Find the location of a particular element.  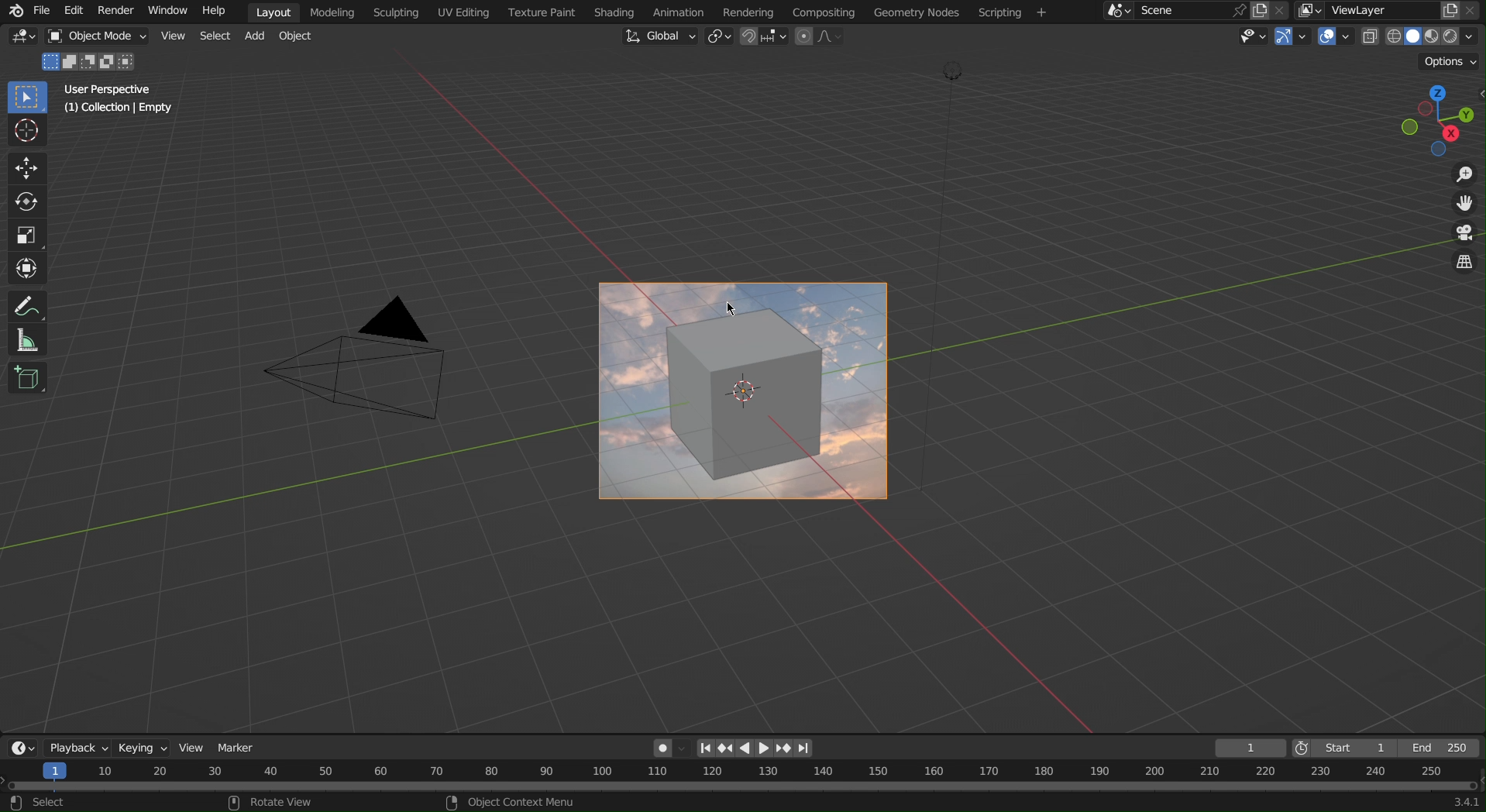

Camera is located at coordinates (395, 367).